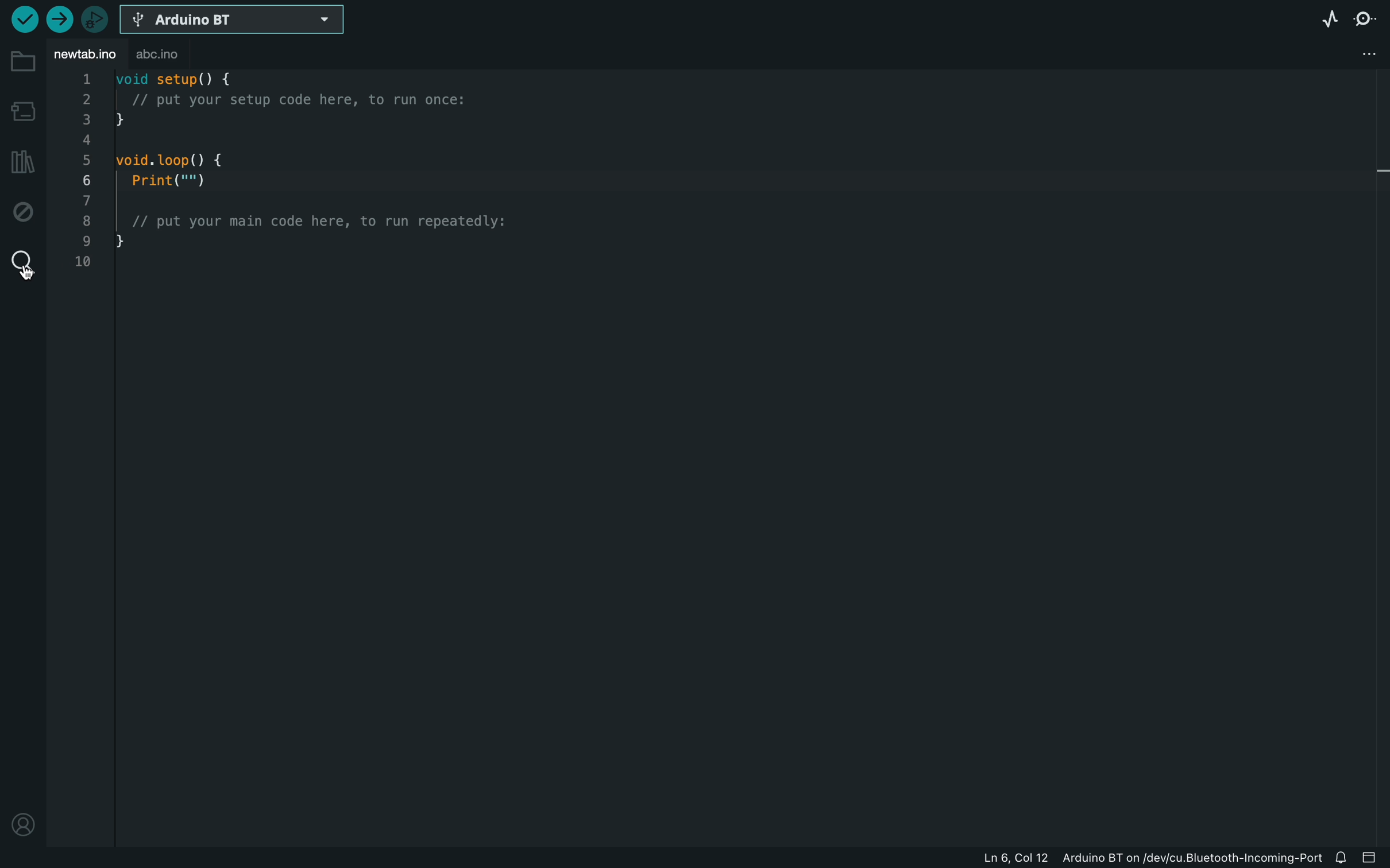 The width and height of the screenshot is (1390, 868). What do you see at coordinates (24, 270) in the screenshot?
I see `cursor` at bounding box center [24, 270].